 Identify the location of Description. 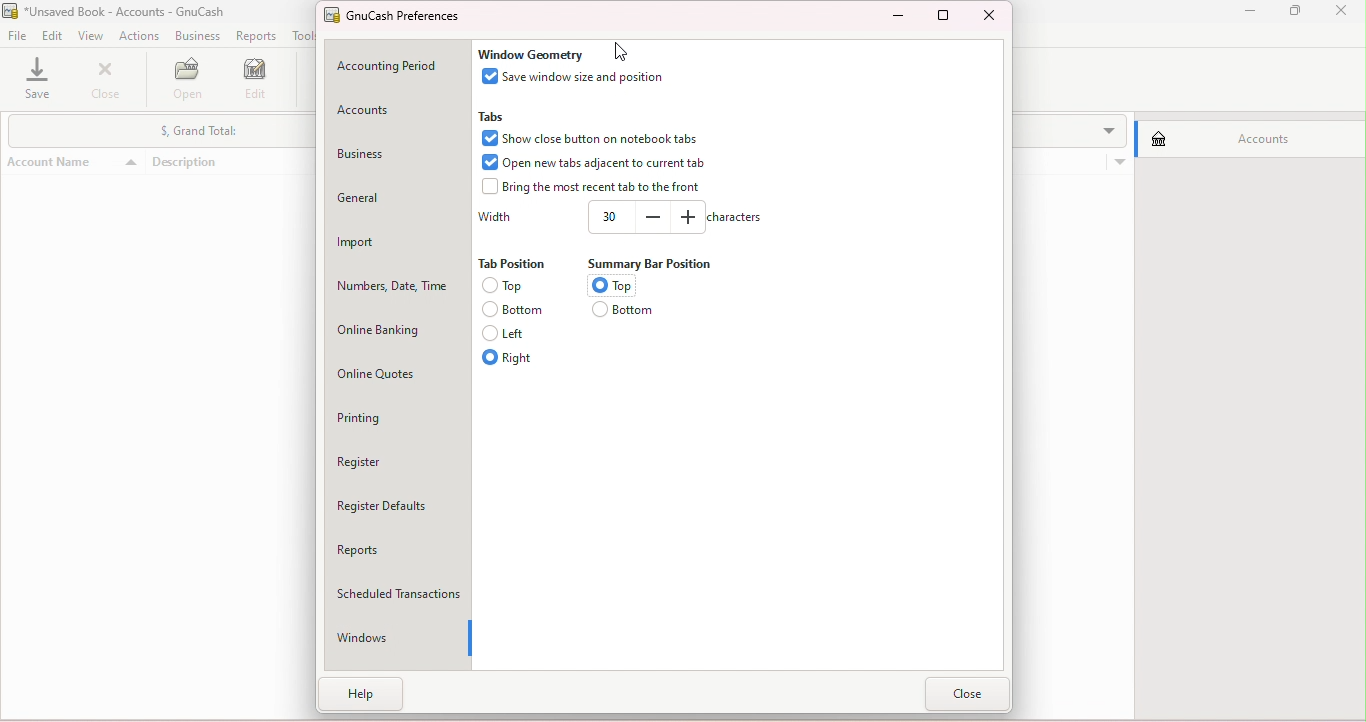
(231, 125).